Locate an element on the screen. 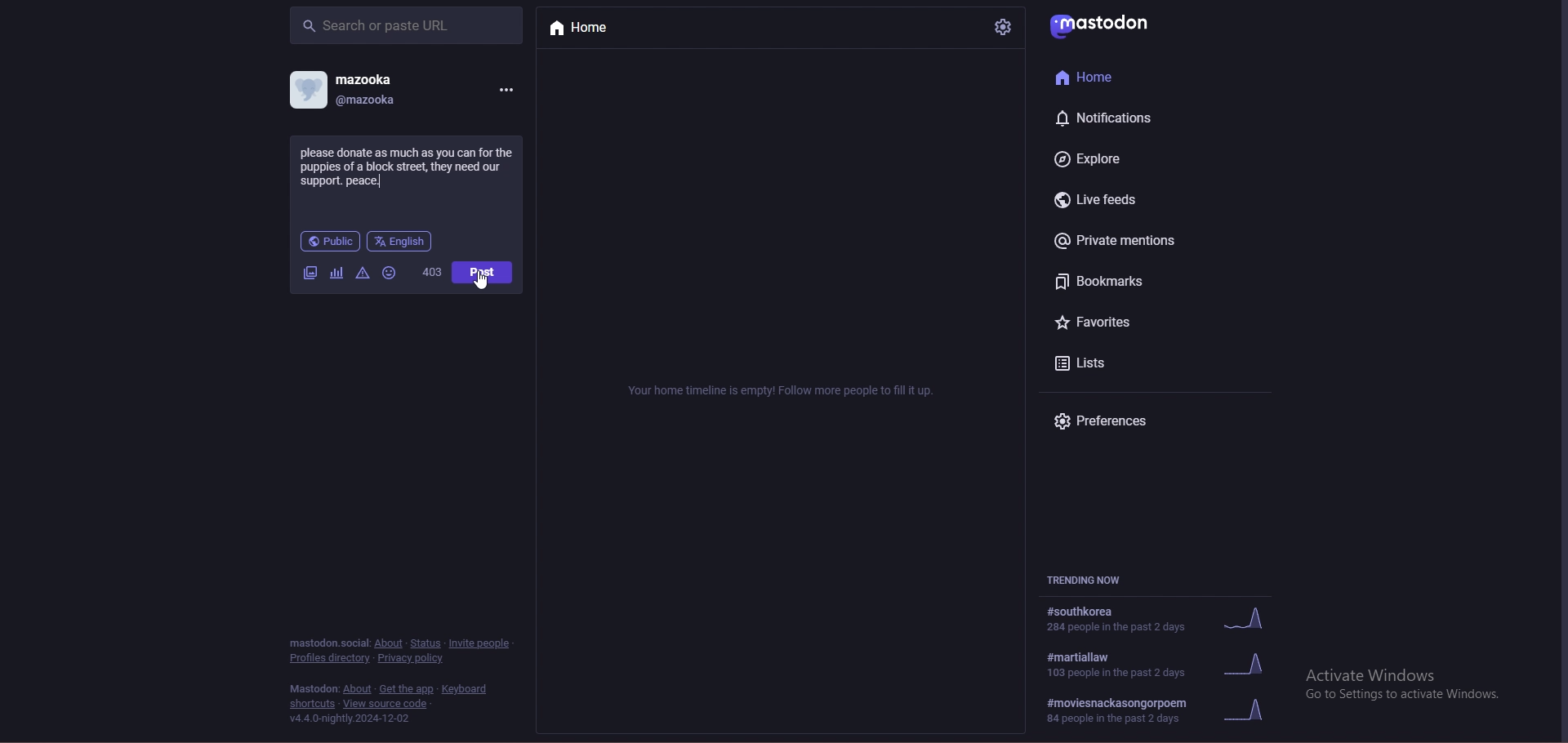 The height and width of the screenshot is (743, 1568). charity call is located at coordinates (407, 168).